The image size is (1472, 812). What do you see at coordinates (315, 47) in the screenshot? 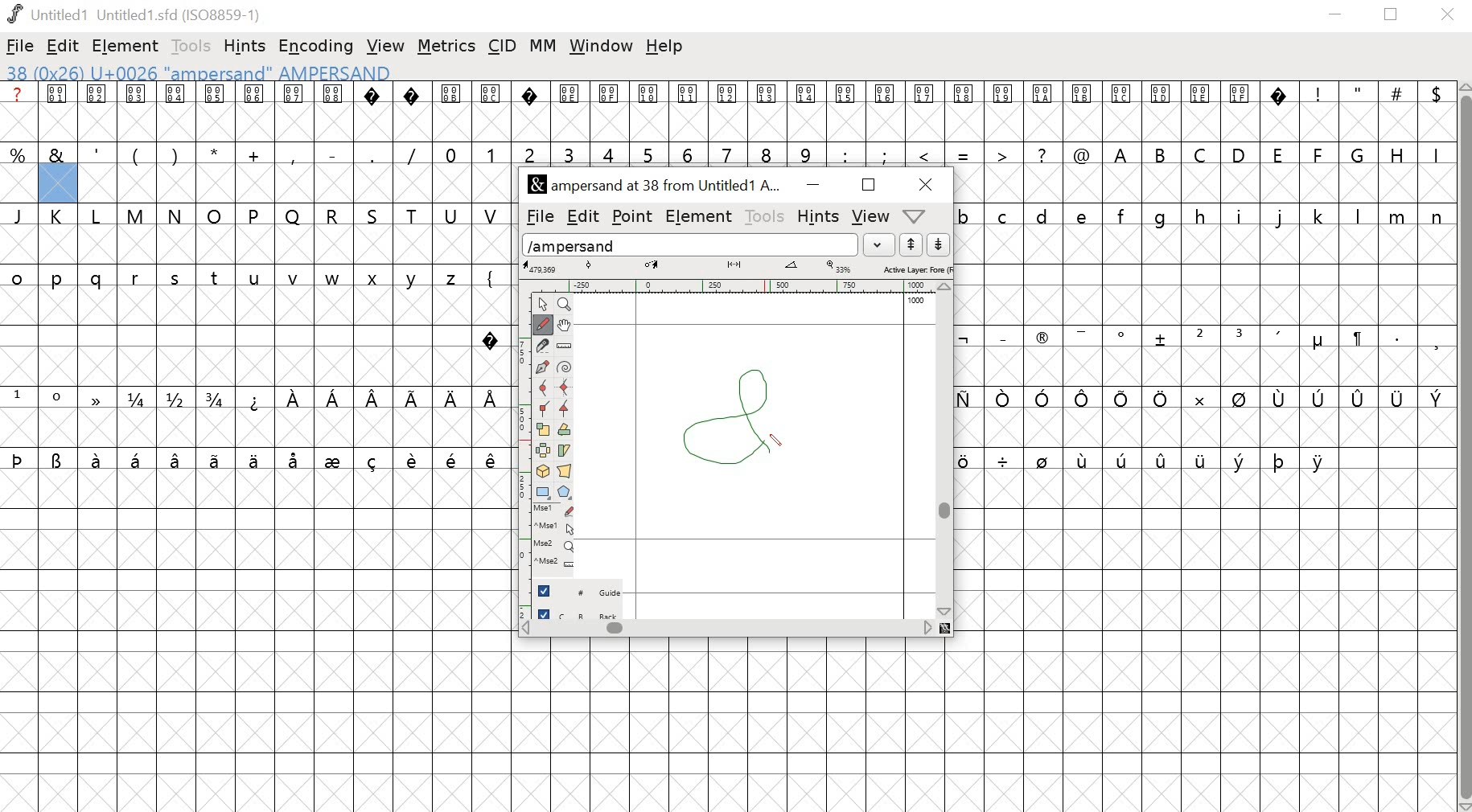
I see `encoding` at bounding box center [315, 47].